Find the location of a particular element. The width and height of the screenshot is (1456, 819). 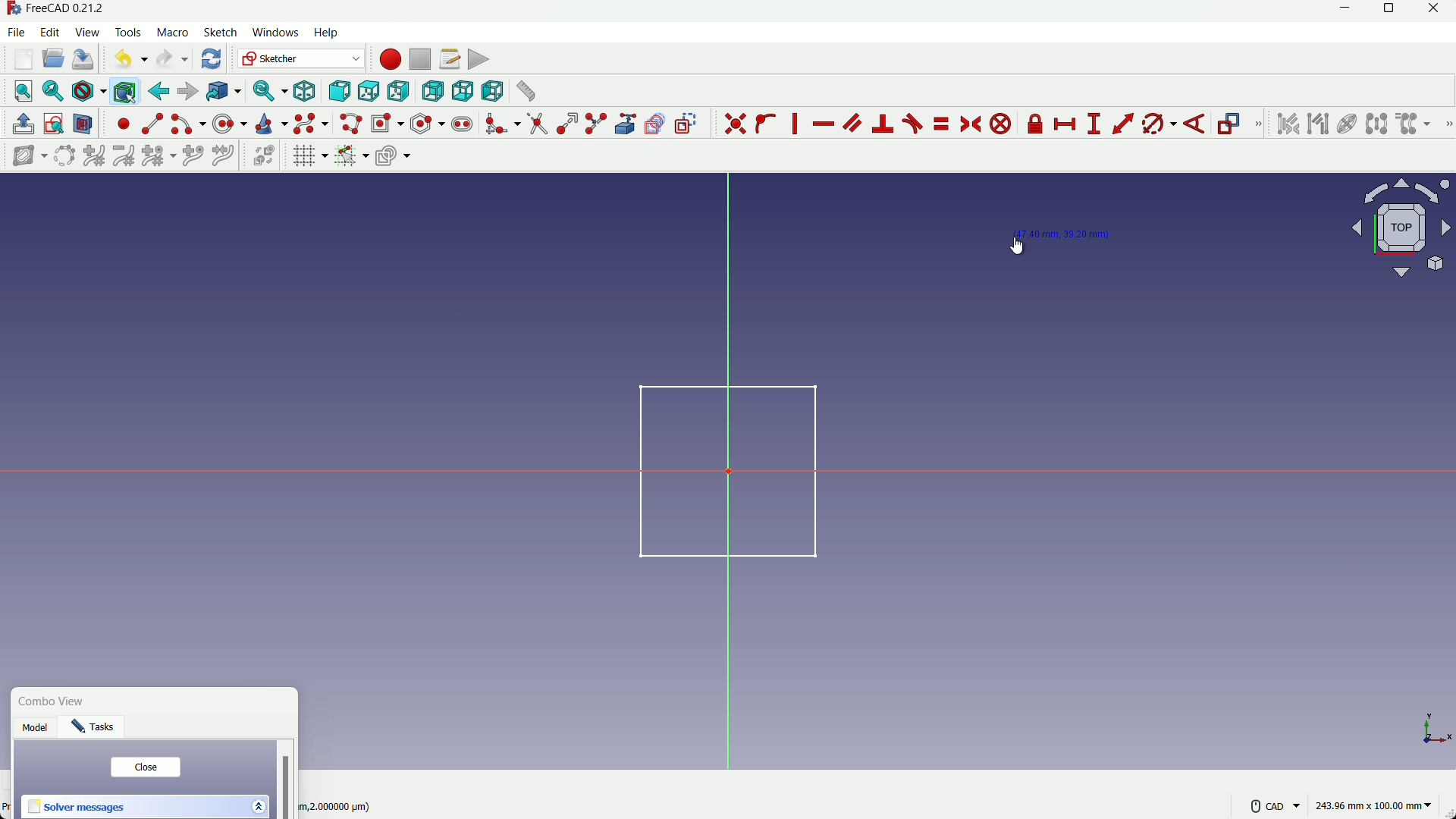

view menu is located at coordinates (89, 33).